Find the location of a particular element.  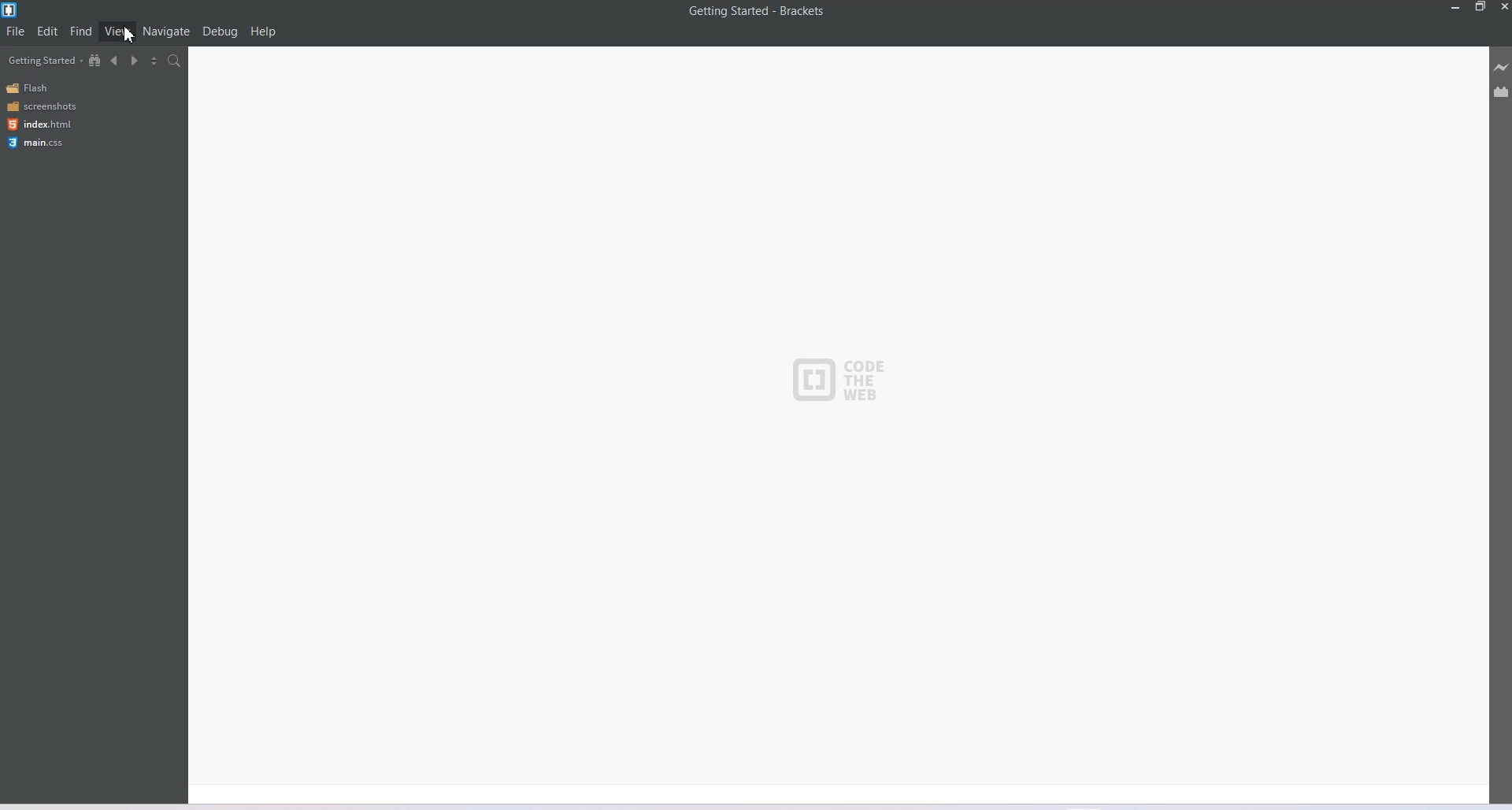

Maximize is located at coordinates (1480, 7).